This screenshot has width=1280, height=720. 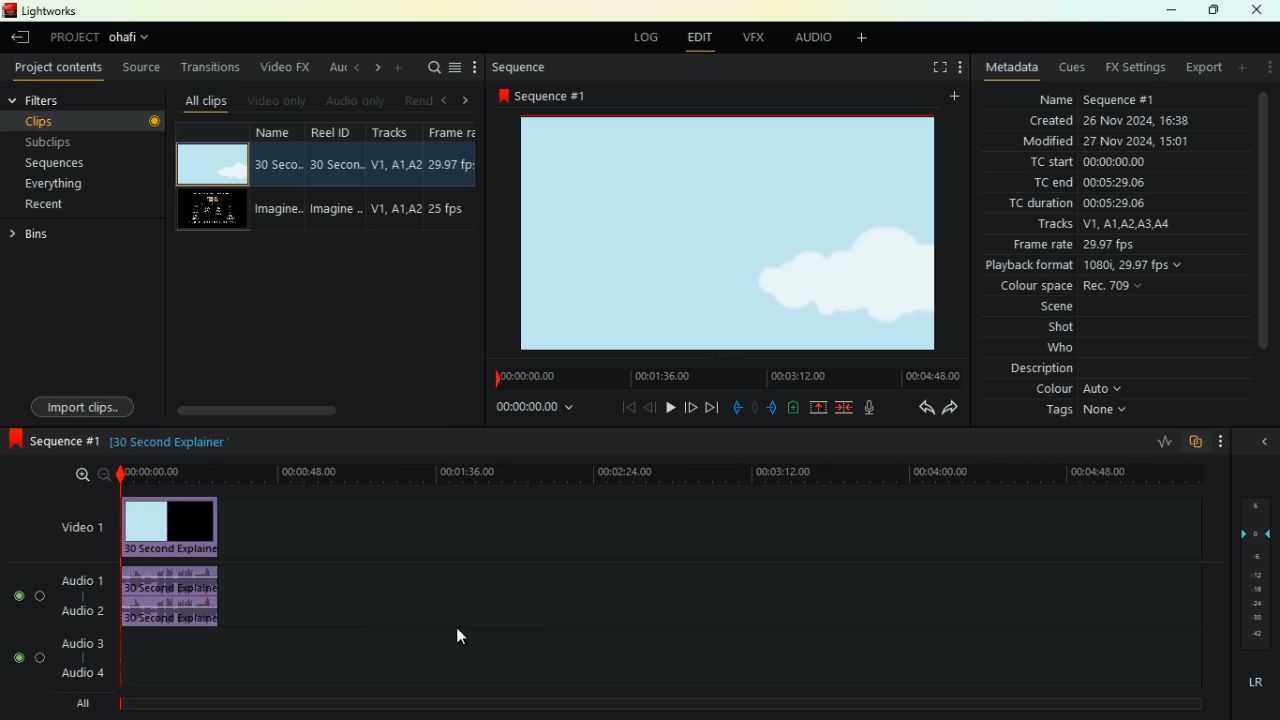 I want to click on frame rate 29.97fps, so click(x=1103, y=247).